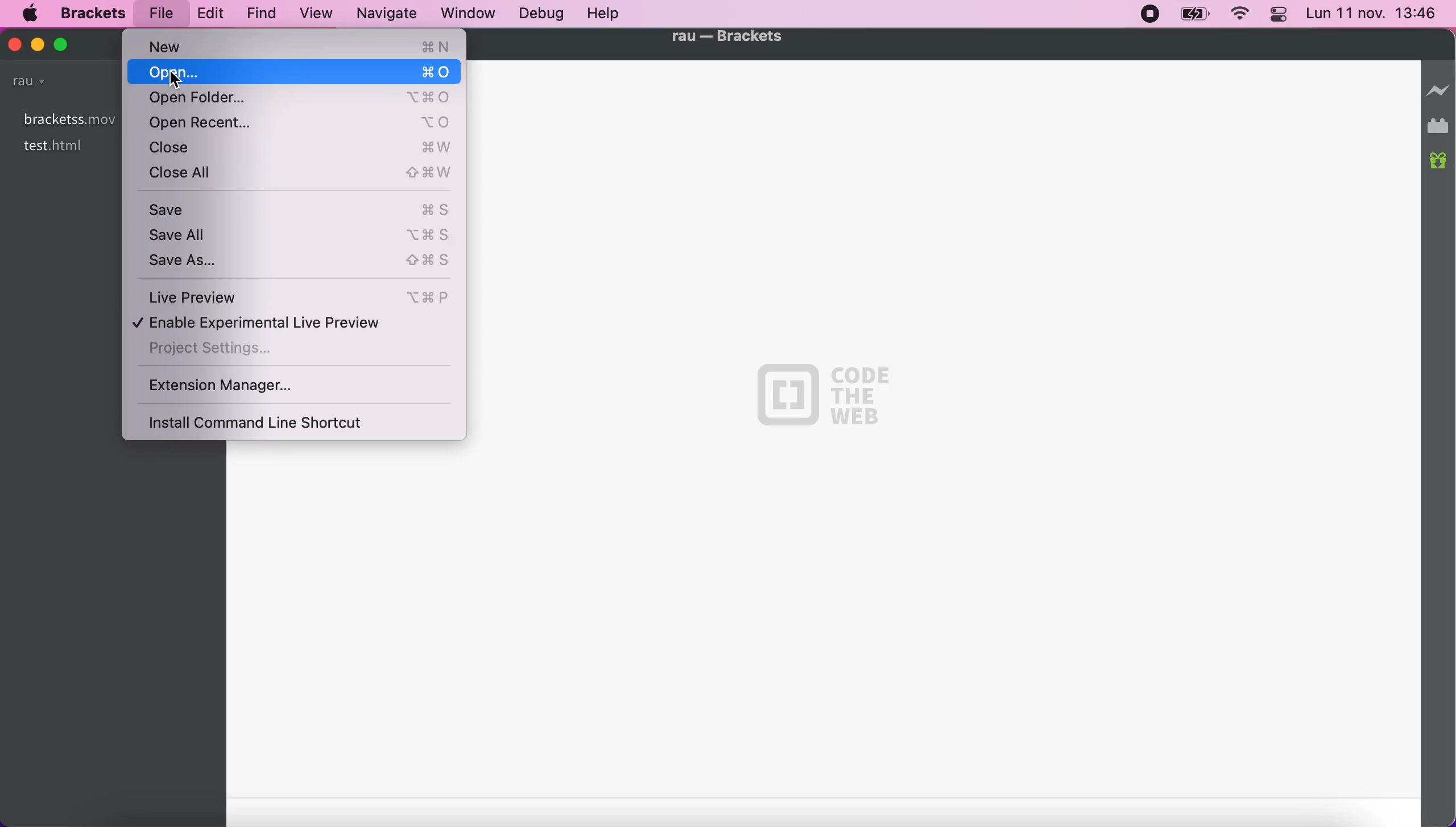 The image size is (1456, 827). What do you see at coordinates (15, 44) in the screenshot?
I see `close` at bounding box center [15, 44].